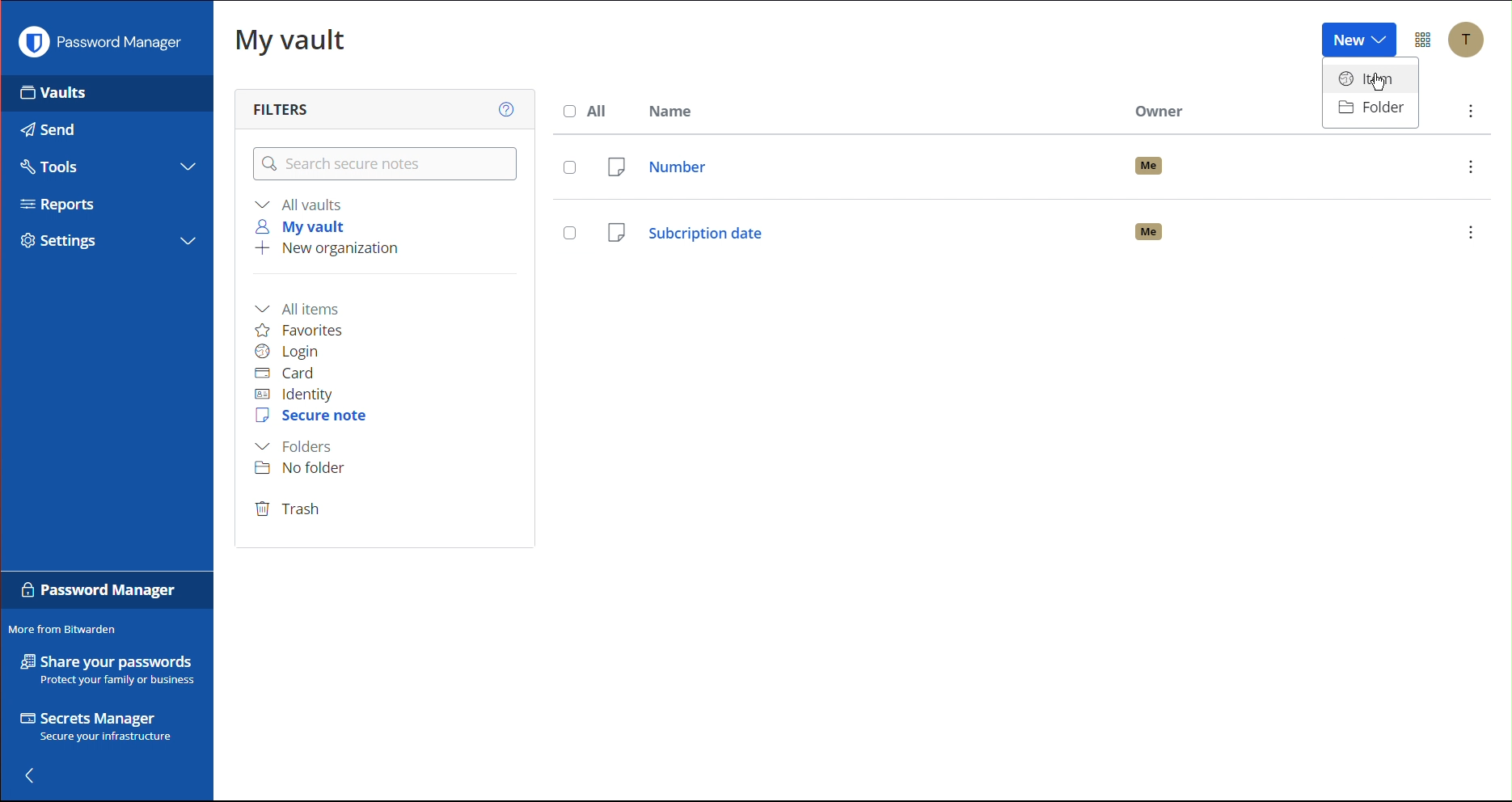 The width and height of the screenshot is (1512, 802). What do you see at coordinates (294, 373) in the screenshot?
I see `Card` at bounding box center [294, 373].